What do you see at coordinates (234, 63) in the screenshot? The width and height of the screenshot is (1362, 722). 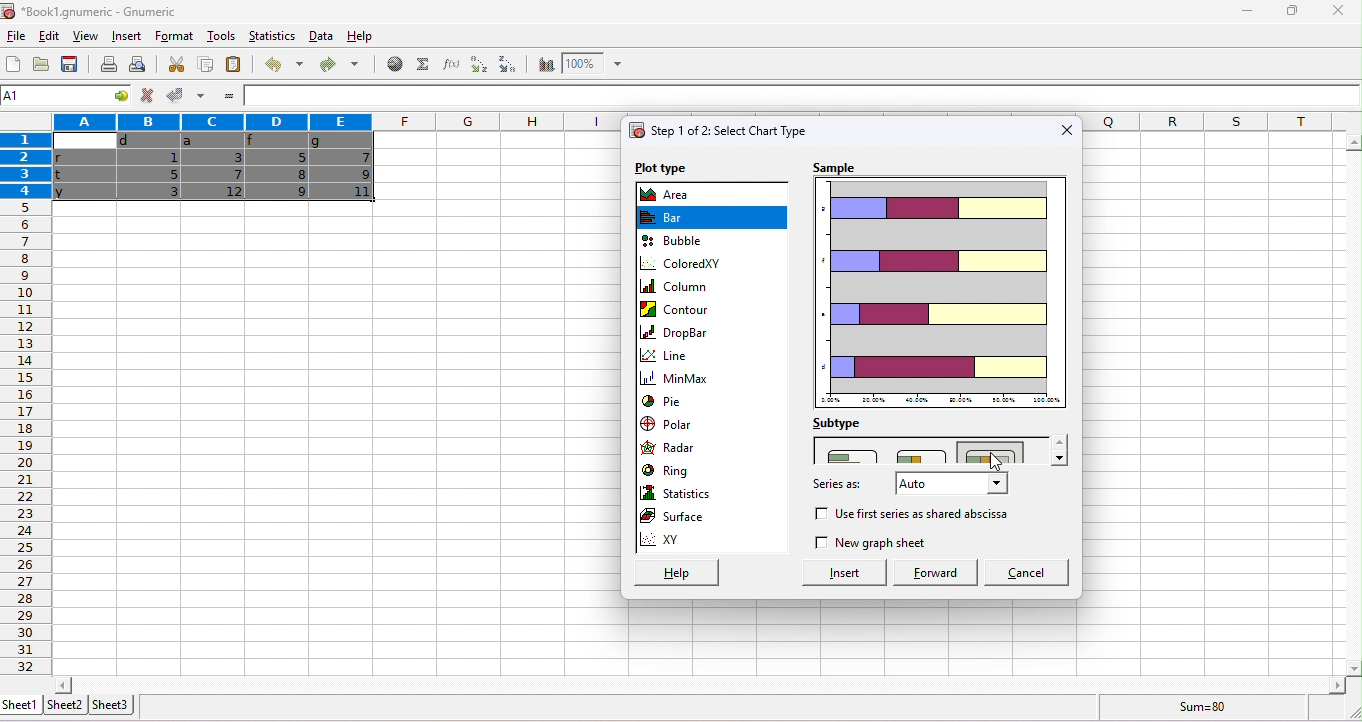 I see `paste` at bounding box center [234, 63].